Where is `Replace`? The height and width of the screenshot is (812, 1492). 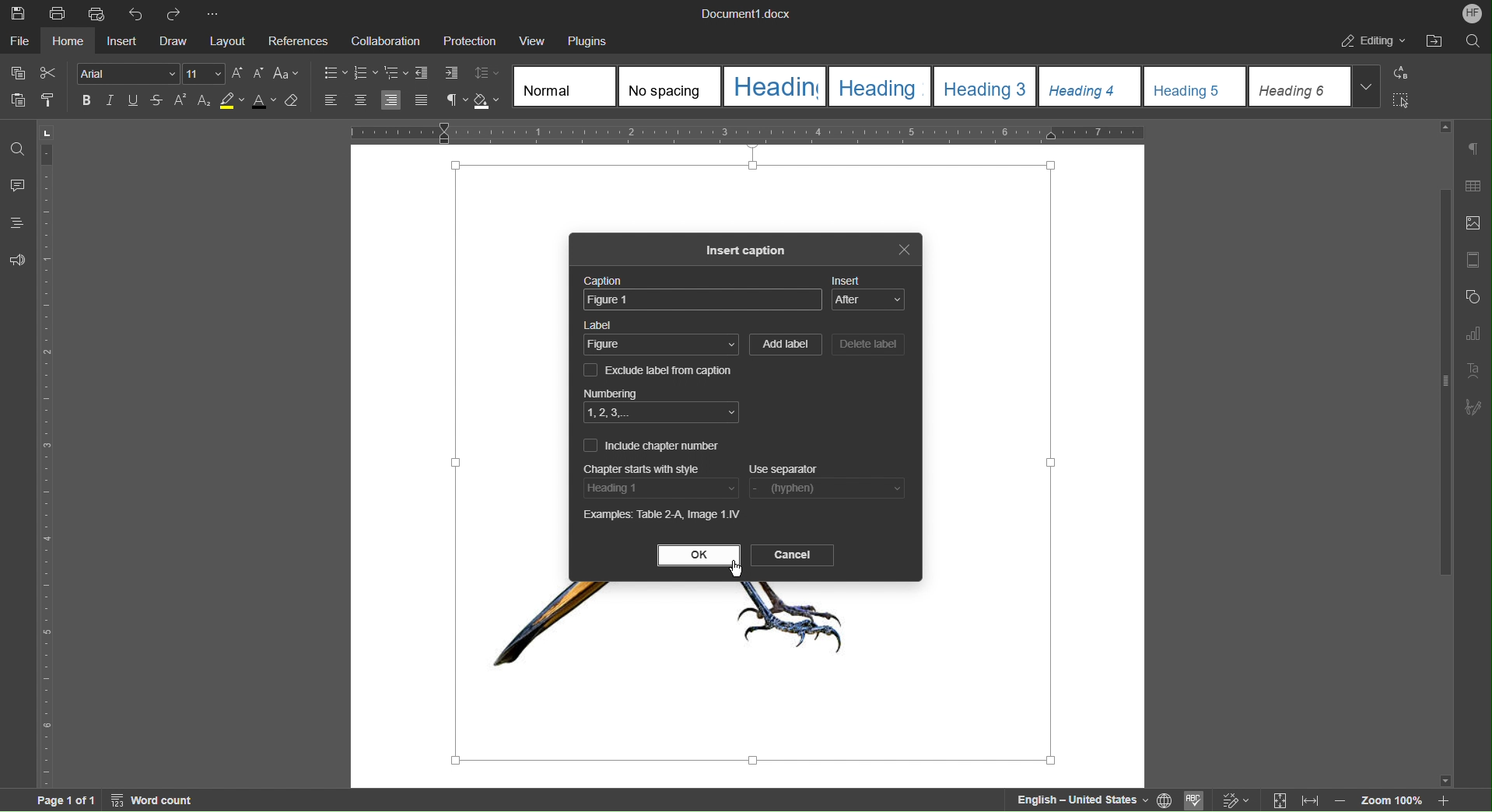
Replace is located at coordinates (1399, 74).